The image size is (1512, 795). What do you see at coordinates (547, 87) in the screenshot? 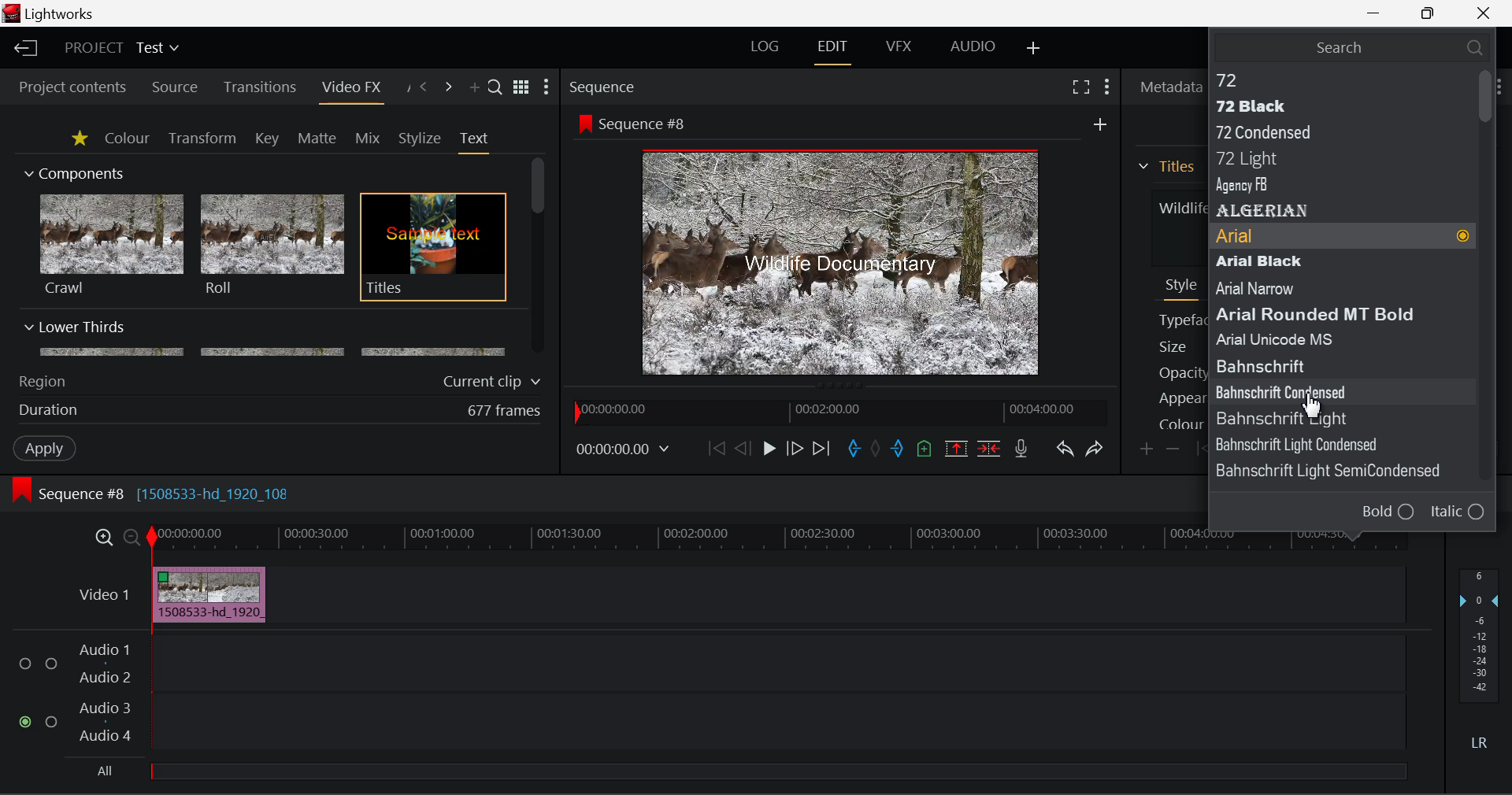
I see `Show Settings` at bounding box center [547, 87].